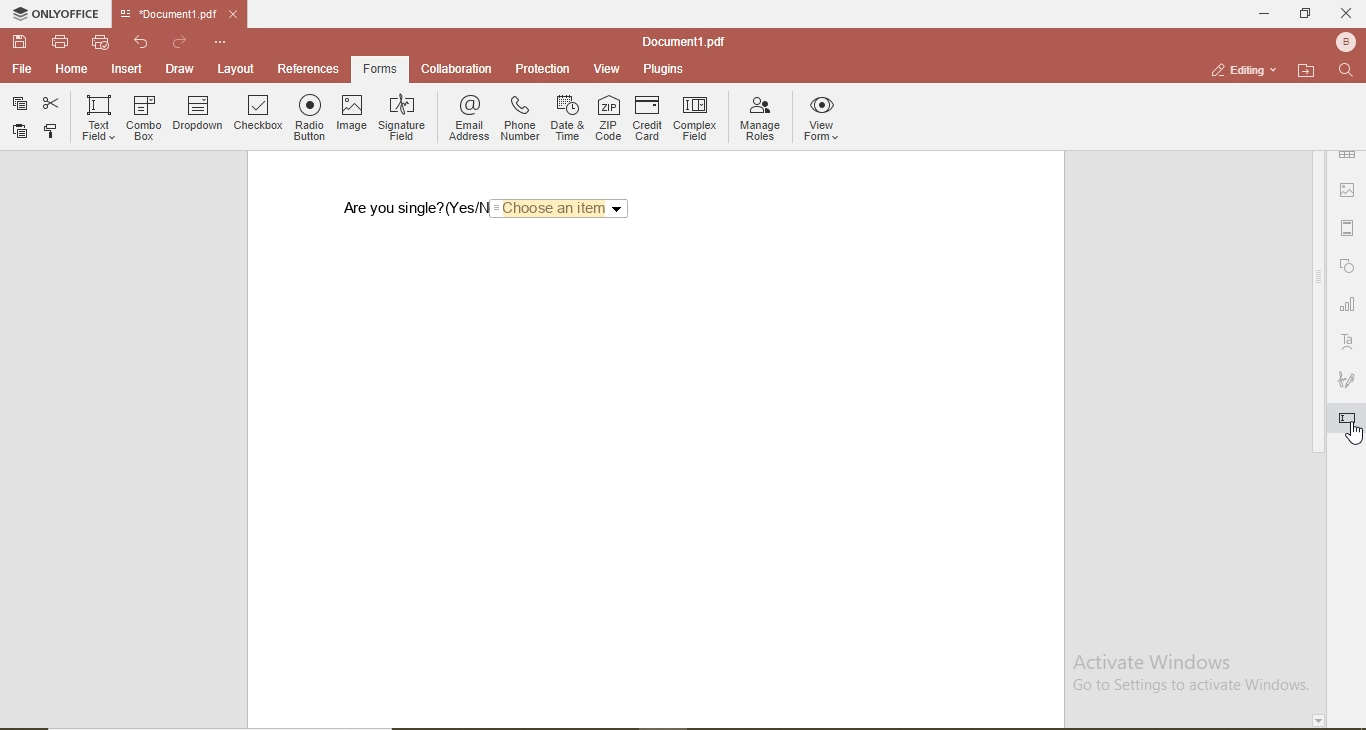 The width and height of the screenshot is (1366, 730). Describe the element at coordinates (681, 41) in the screenshot. I see `document` at that location.